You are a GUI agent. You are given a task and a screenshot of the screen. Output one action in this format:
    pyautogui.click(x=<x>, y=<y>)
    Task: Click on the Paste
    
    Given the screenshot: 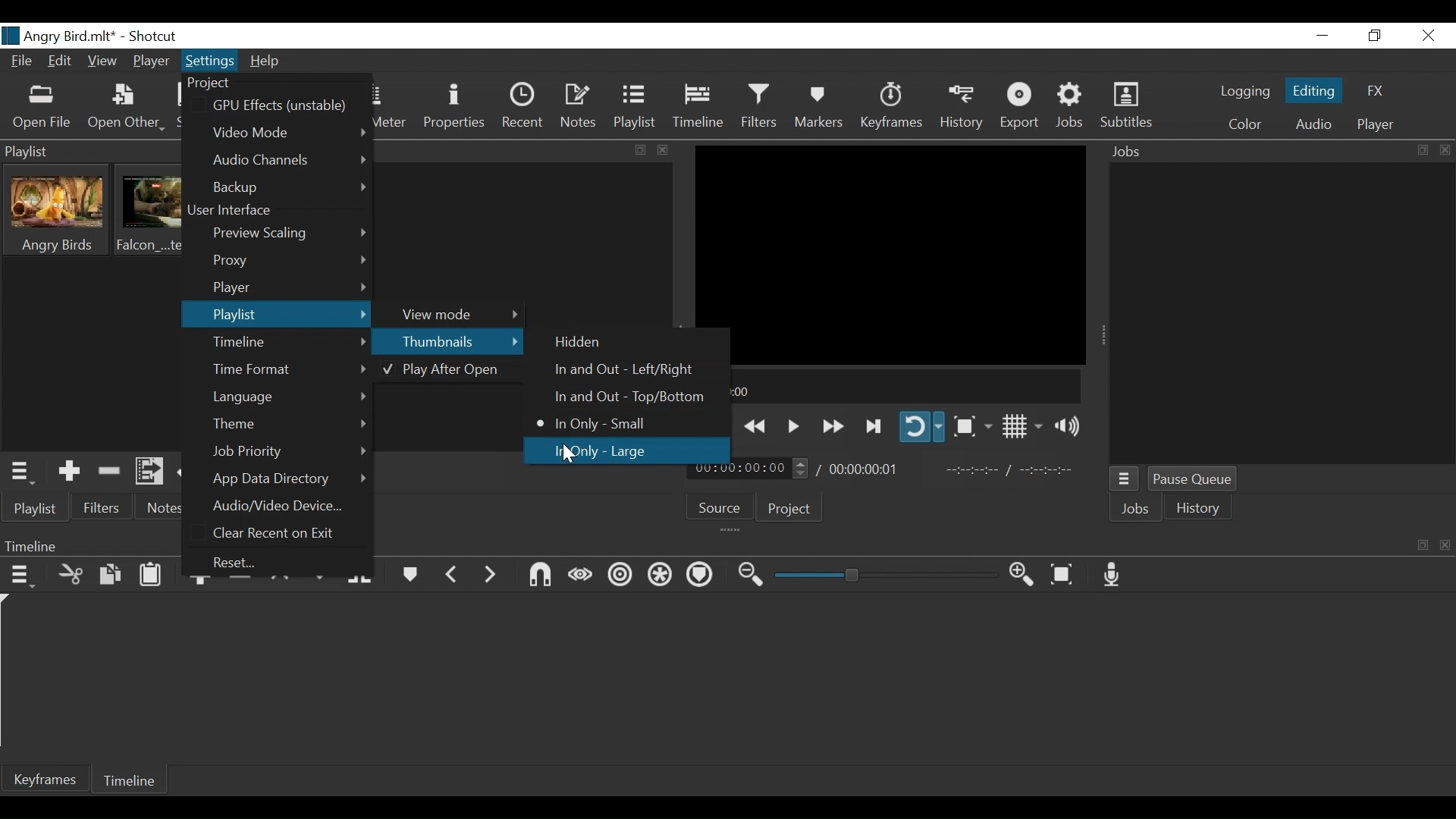 What is the action you would take?
    pyautogui.click(x=151, y=576)
    